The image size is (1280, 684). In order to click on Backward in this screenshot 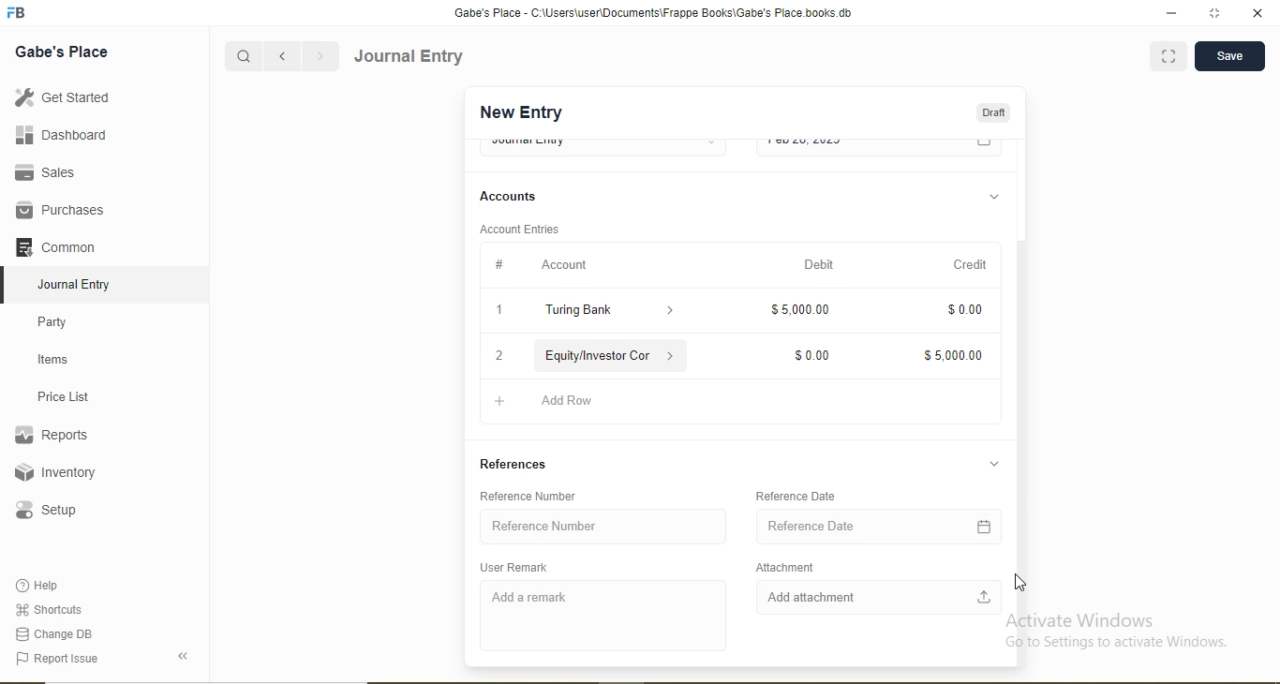, I will do `click(282, 57)`.